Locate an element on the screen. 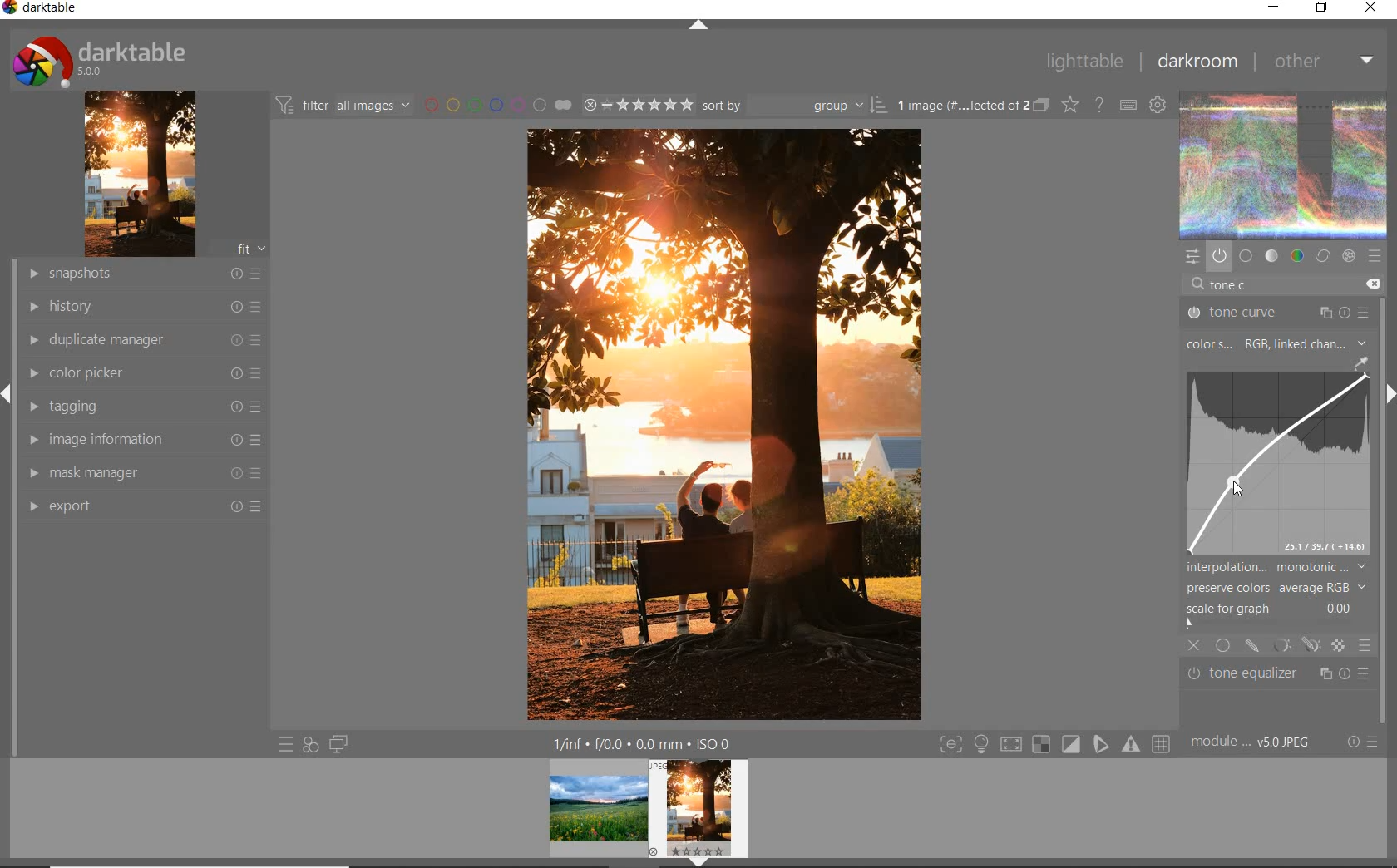  rgb, linked channels is located at coordinates (1307, 343).